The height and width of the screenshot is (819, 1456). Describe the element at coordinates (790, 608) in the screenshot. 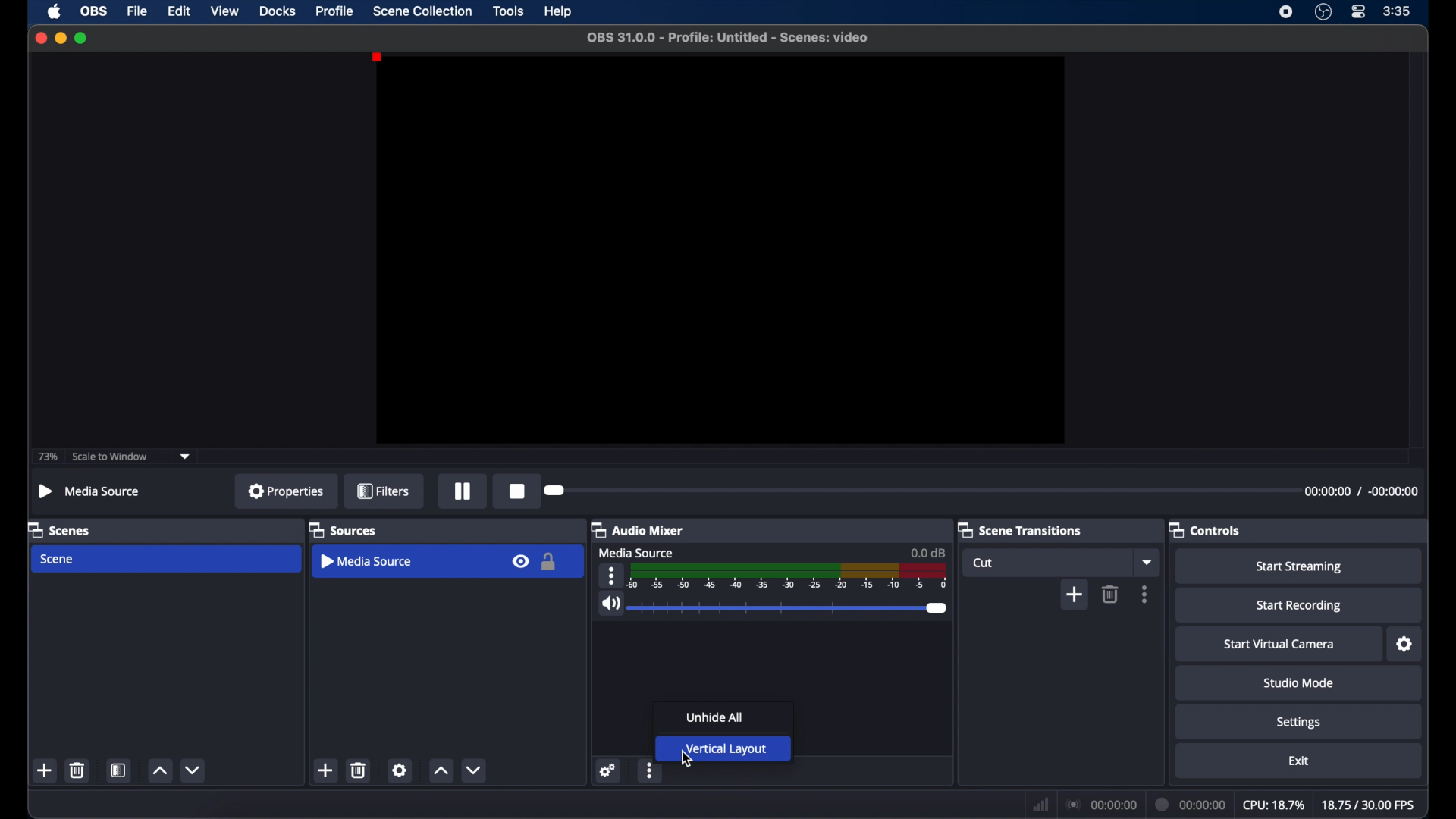

I see `slider` at that location.